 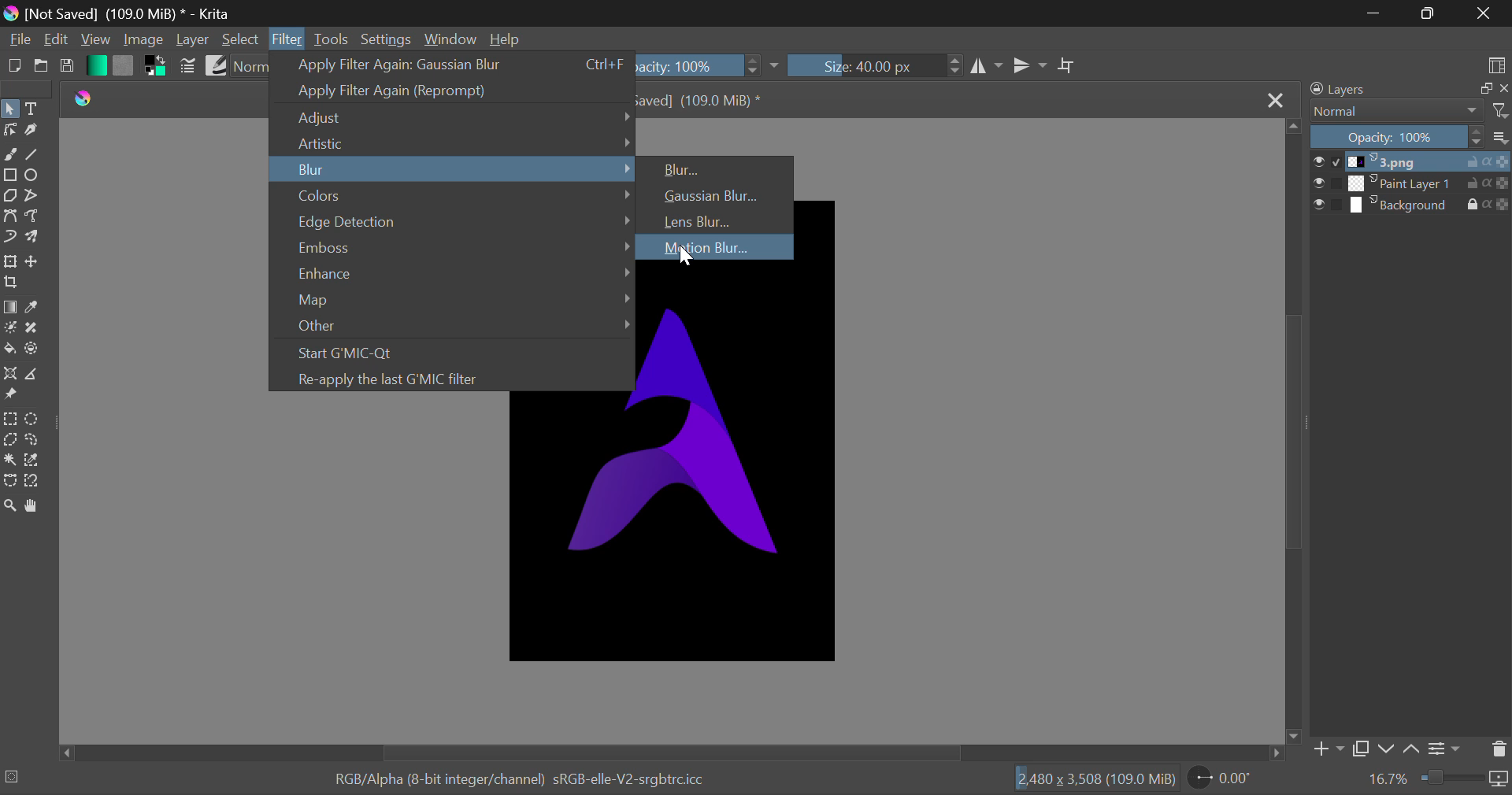 I want to click on Lens Blur, so click(x=717, y=221).